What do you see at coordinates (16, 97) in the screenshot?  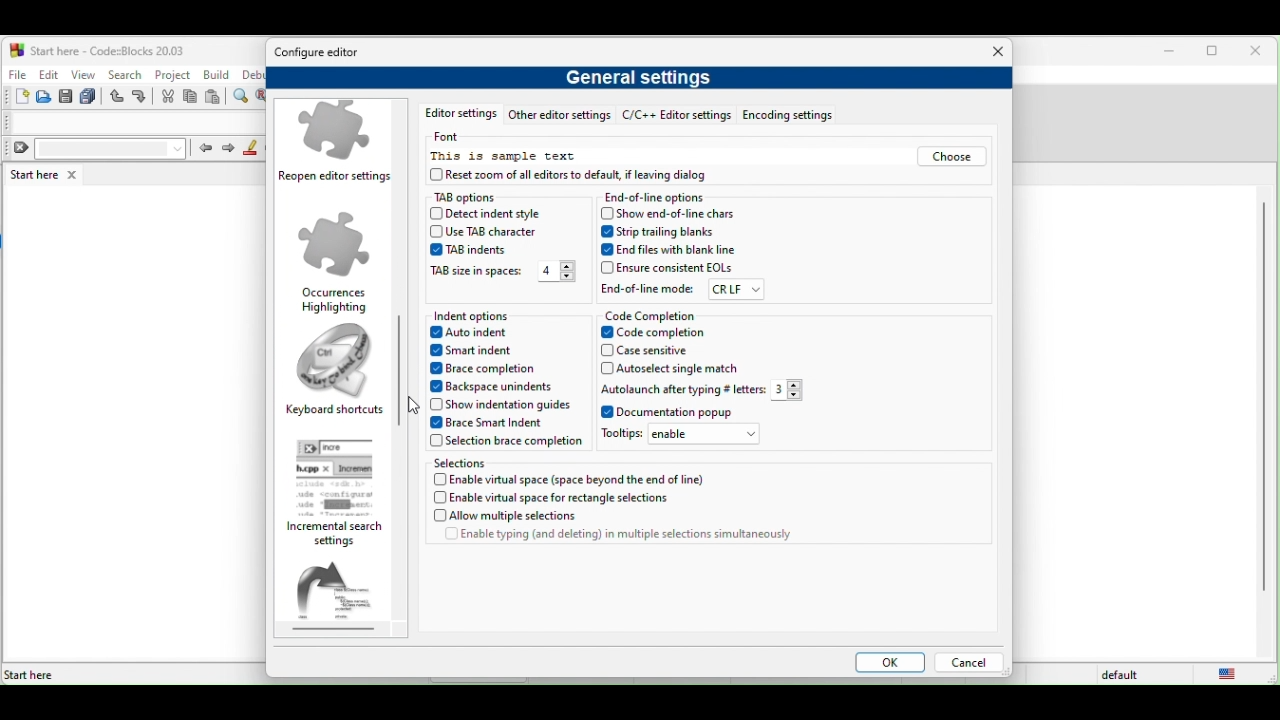 I see `new` at bounding box center [16, 97].